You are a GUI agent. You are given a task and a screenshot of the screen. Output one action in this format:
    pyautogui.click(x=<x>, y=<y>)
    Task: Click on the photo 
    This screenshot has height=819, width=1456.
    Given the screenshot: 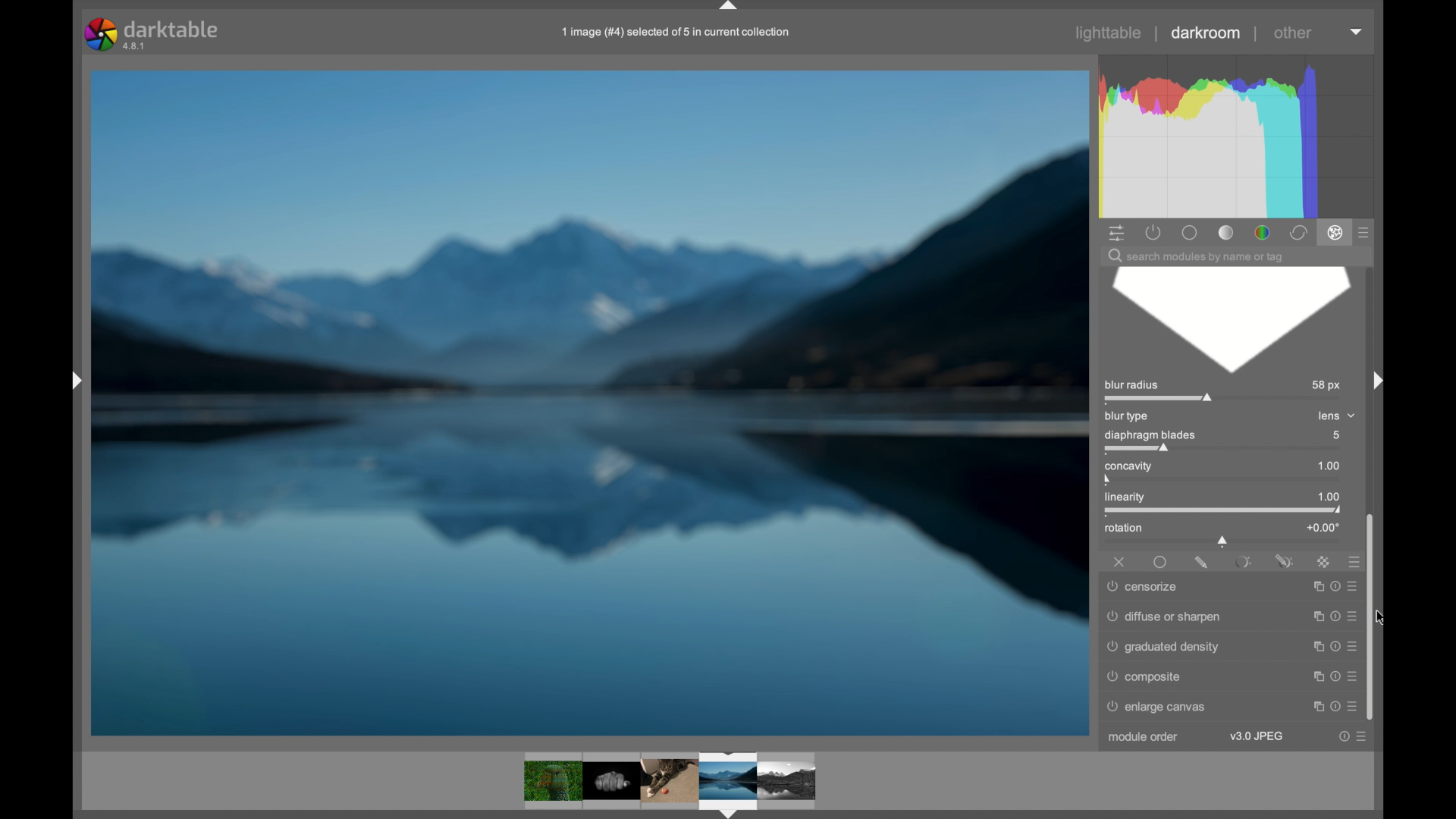 What is the action you would take?
    pyautogui.click(x=590, y=401)
    